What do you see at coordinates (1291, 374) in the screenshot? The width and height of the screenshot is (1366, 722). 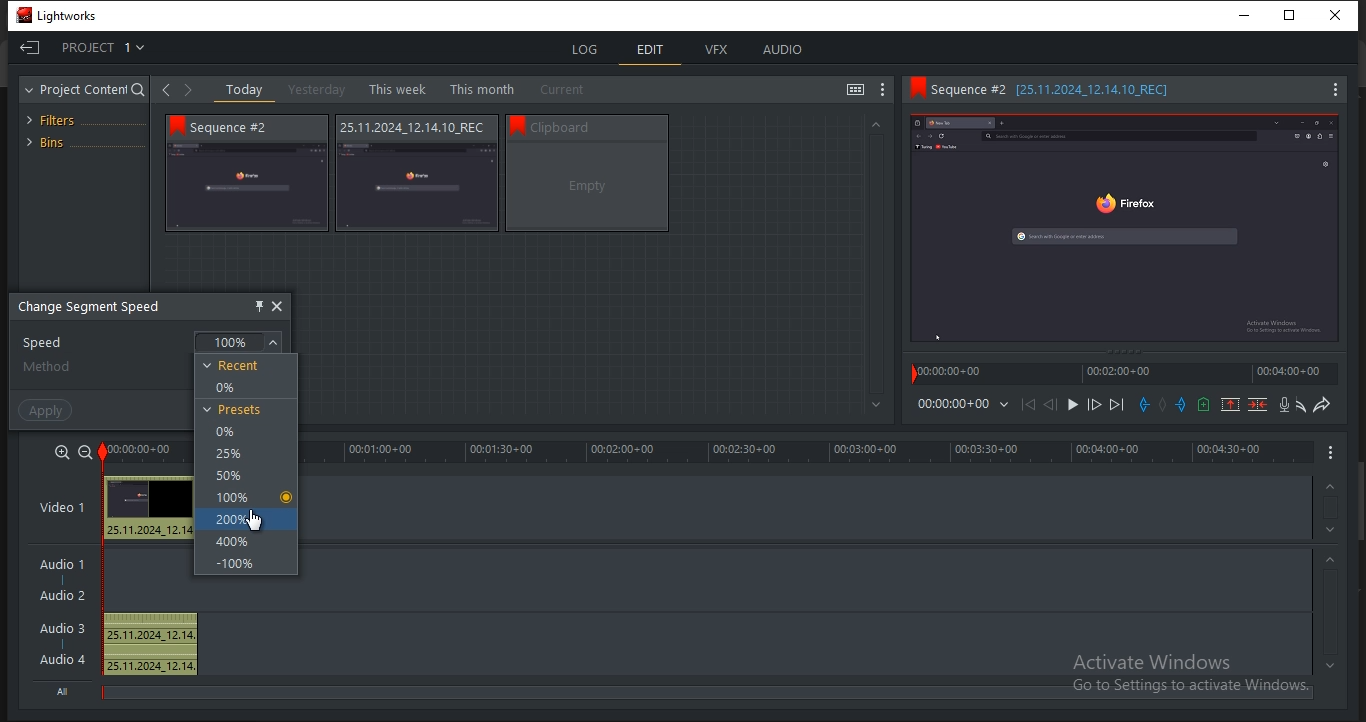 I see `time stamp` at bounding box center [1291, 374].